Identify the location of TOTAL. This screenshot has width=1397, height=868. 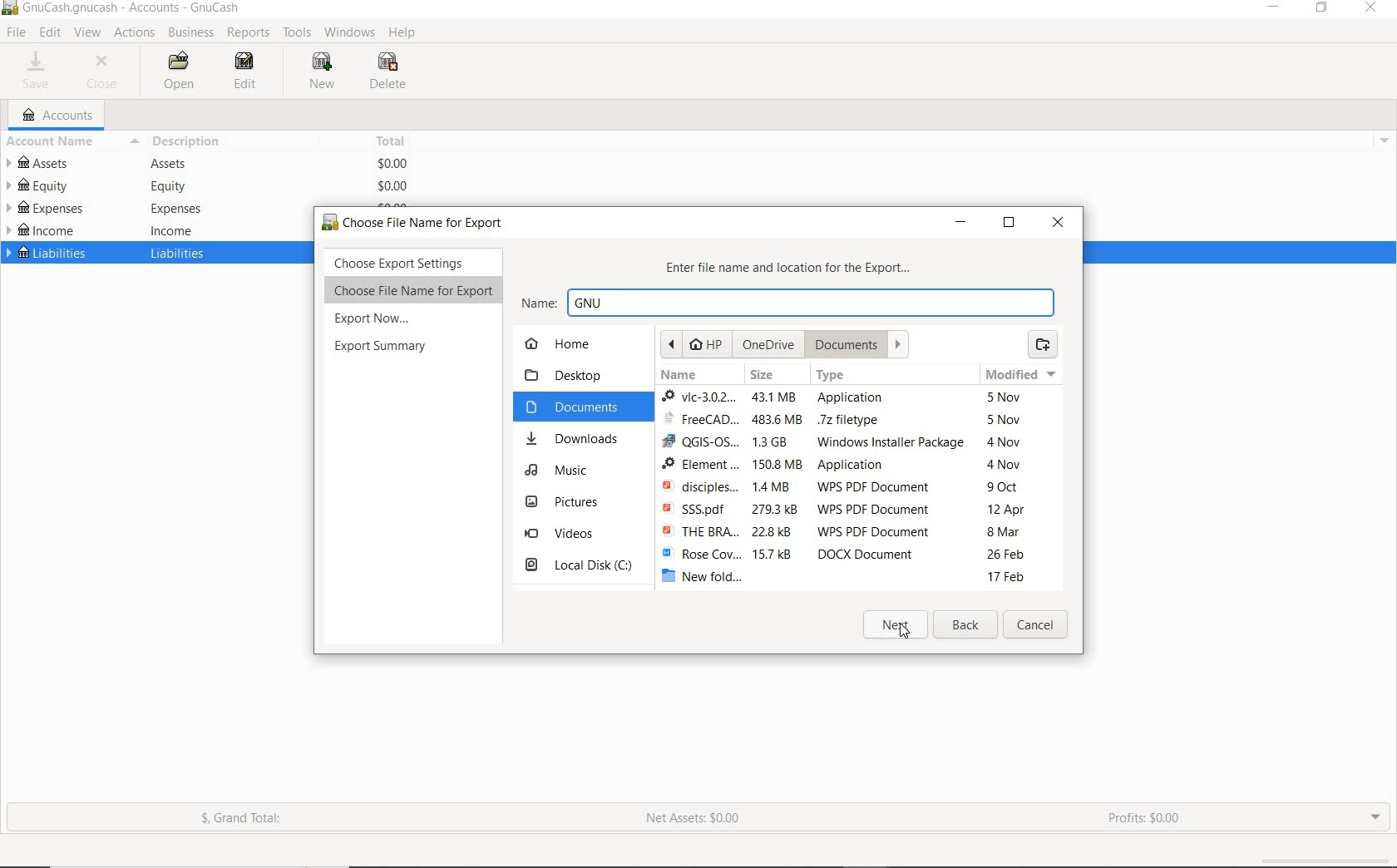
(393, 141).